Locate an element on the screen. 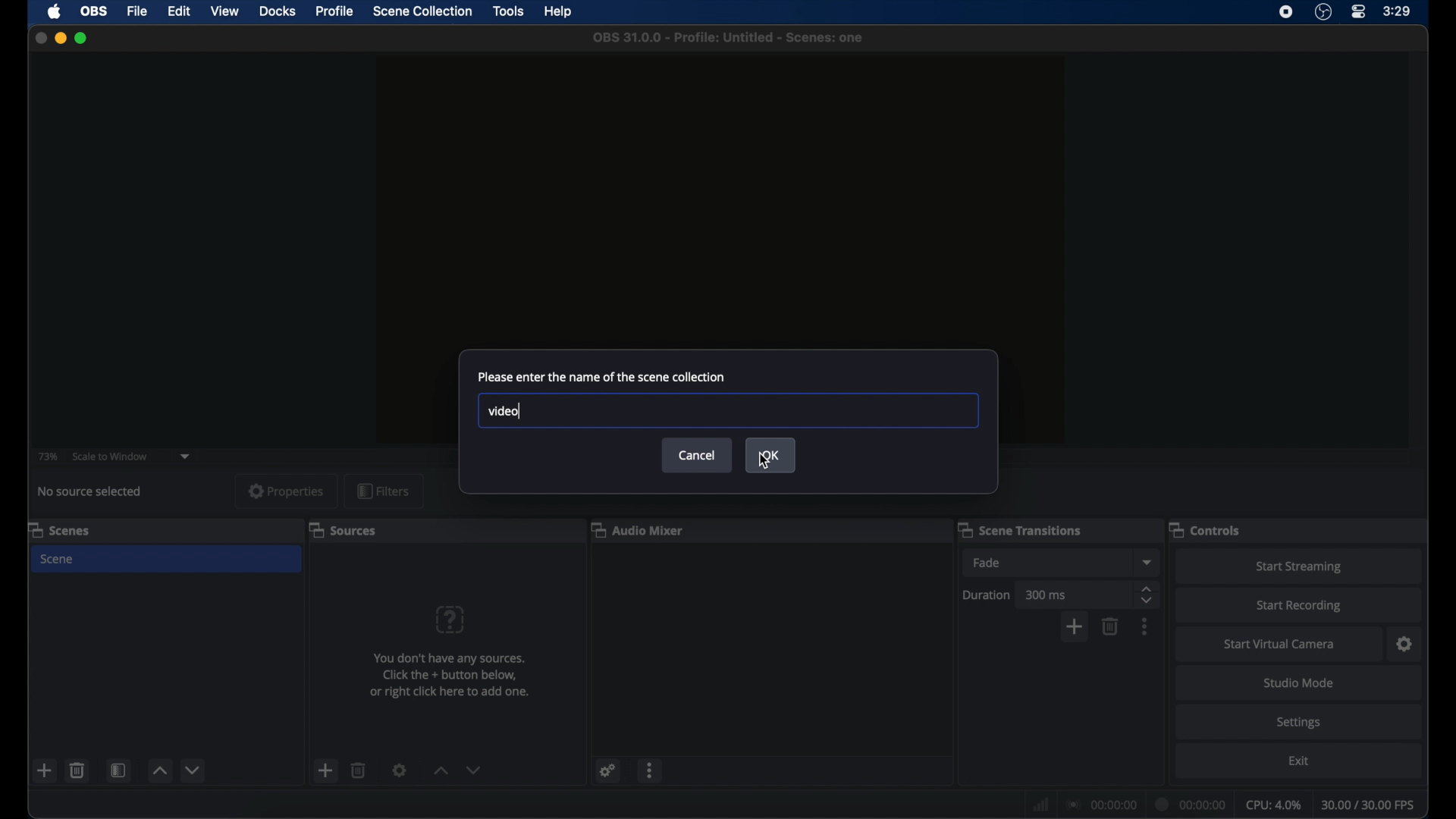  exit is located at coordinates (1301, 761).